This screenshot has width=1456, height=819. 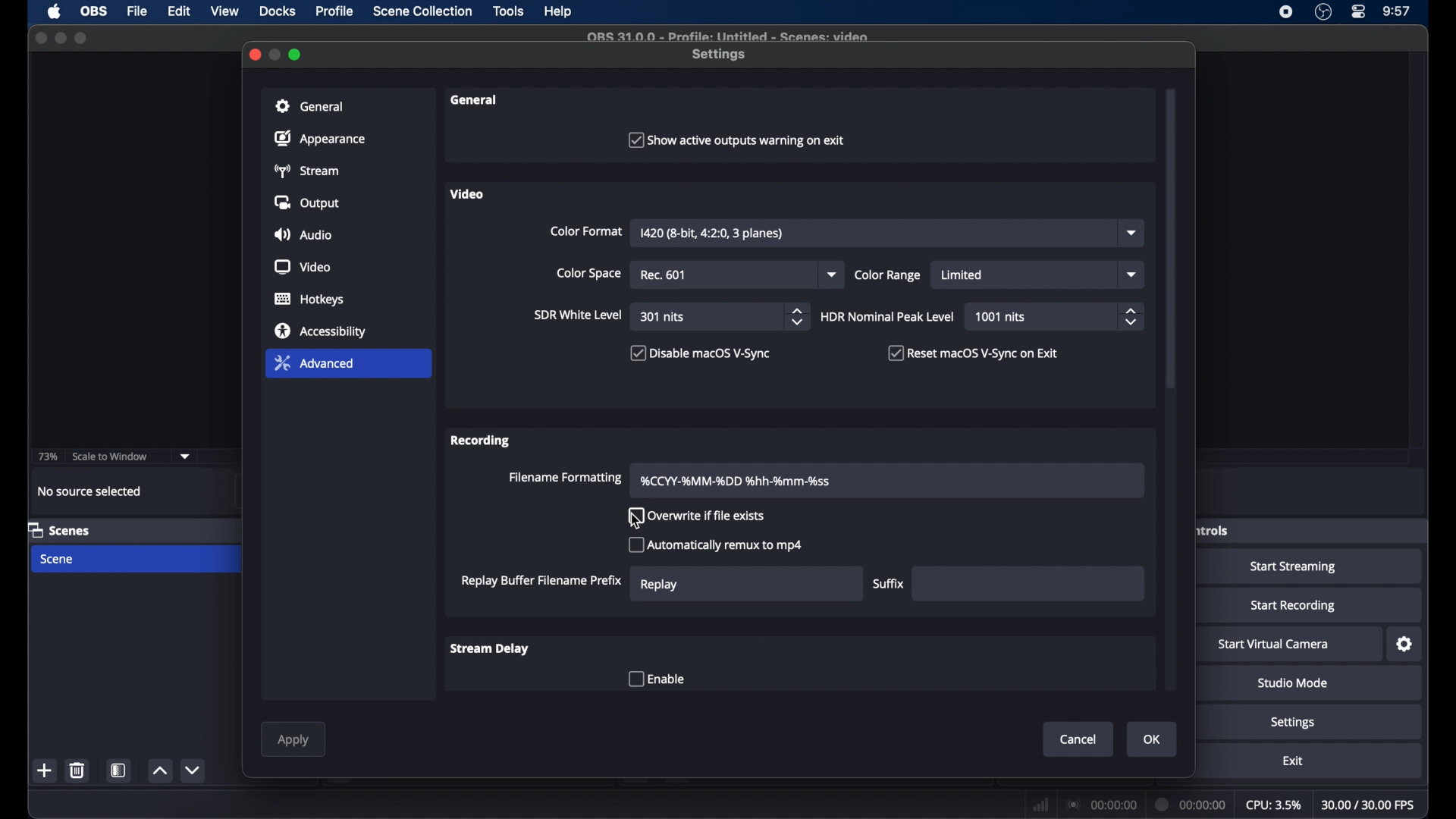 I want to click on duration, so click(x=1192, y=806).